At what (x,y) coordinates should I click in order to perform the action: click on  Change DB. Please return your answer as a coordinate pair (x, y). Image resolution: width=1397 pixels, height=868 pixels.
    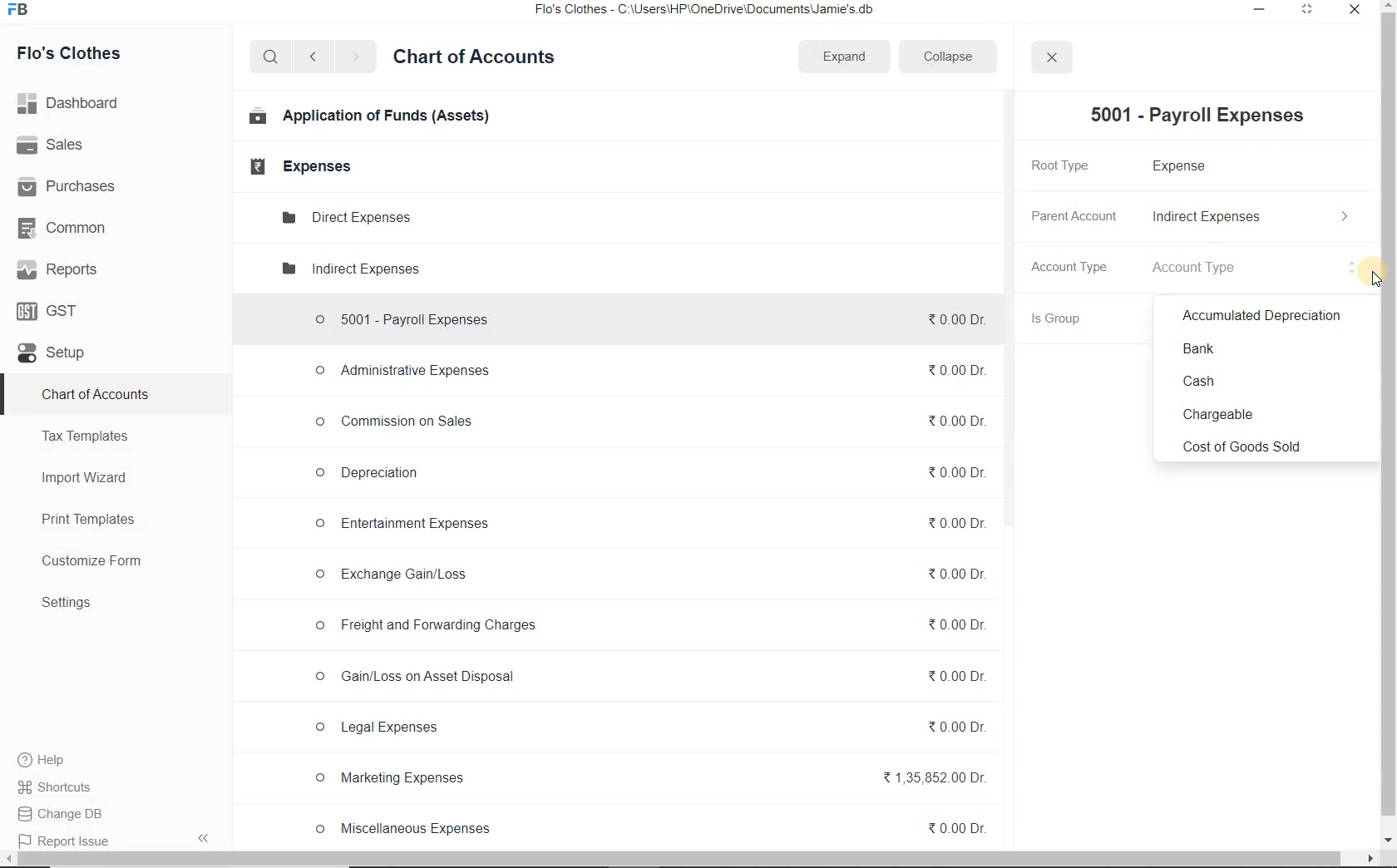
    Looking at the image, I should click on (70, 813).